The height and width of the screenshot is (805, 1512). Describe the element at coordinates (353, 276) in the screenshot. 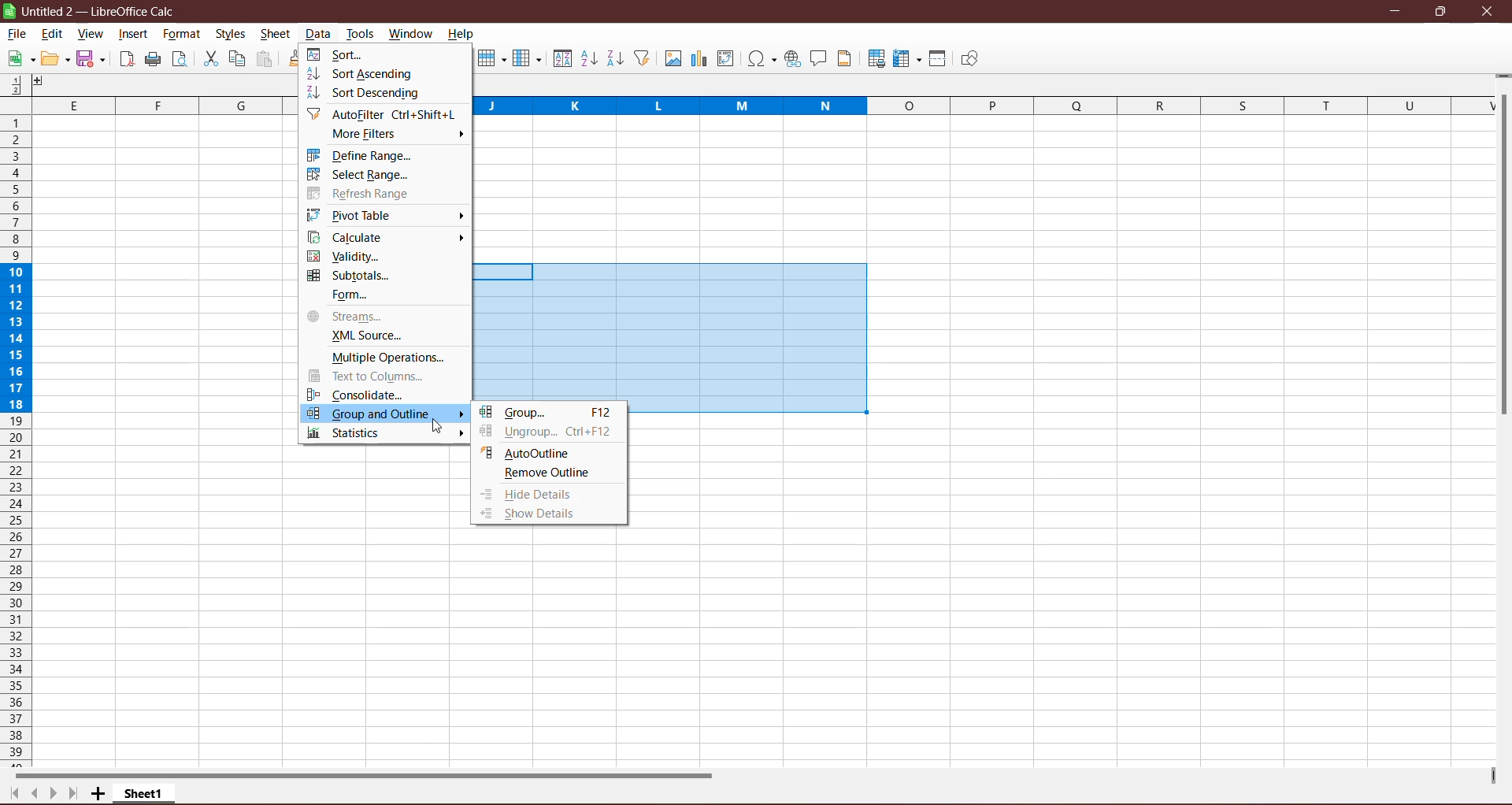

I see `Subtotals` at that location.